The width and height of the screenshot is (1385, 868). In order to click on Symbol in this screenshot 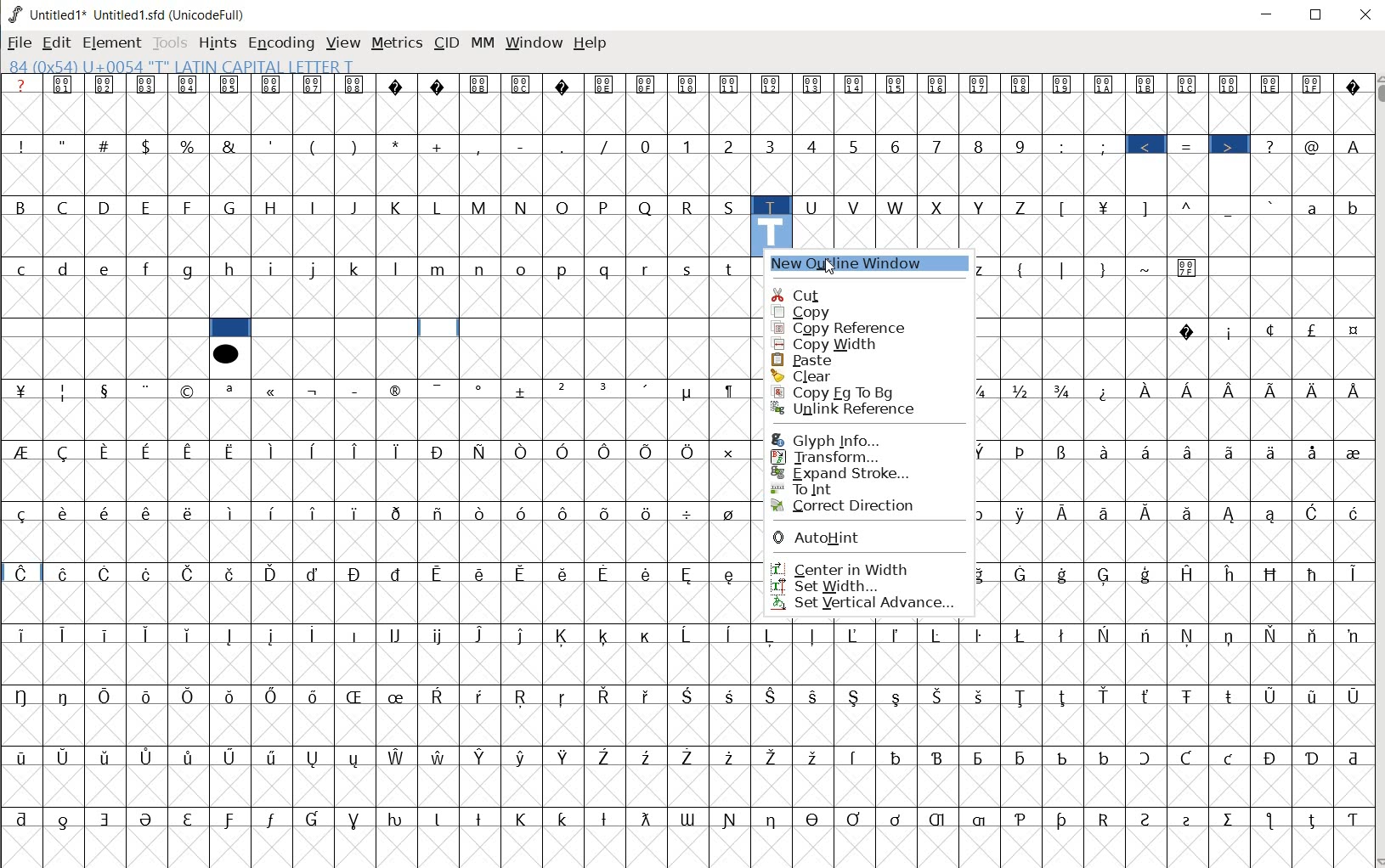, I will do `click(607, 818)`.